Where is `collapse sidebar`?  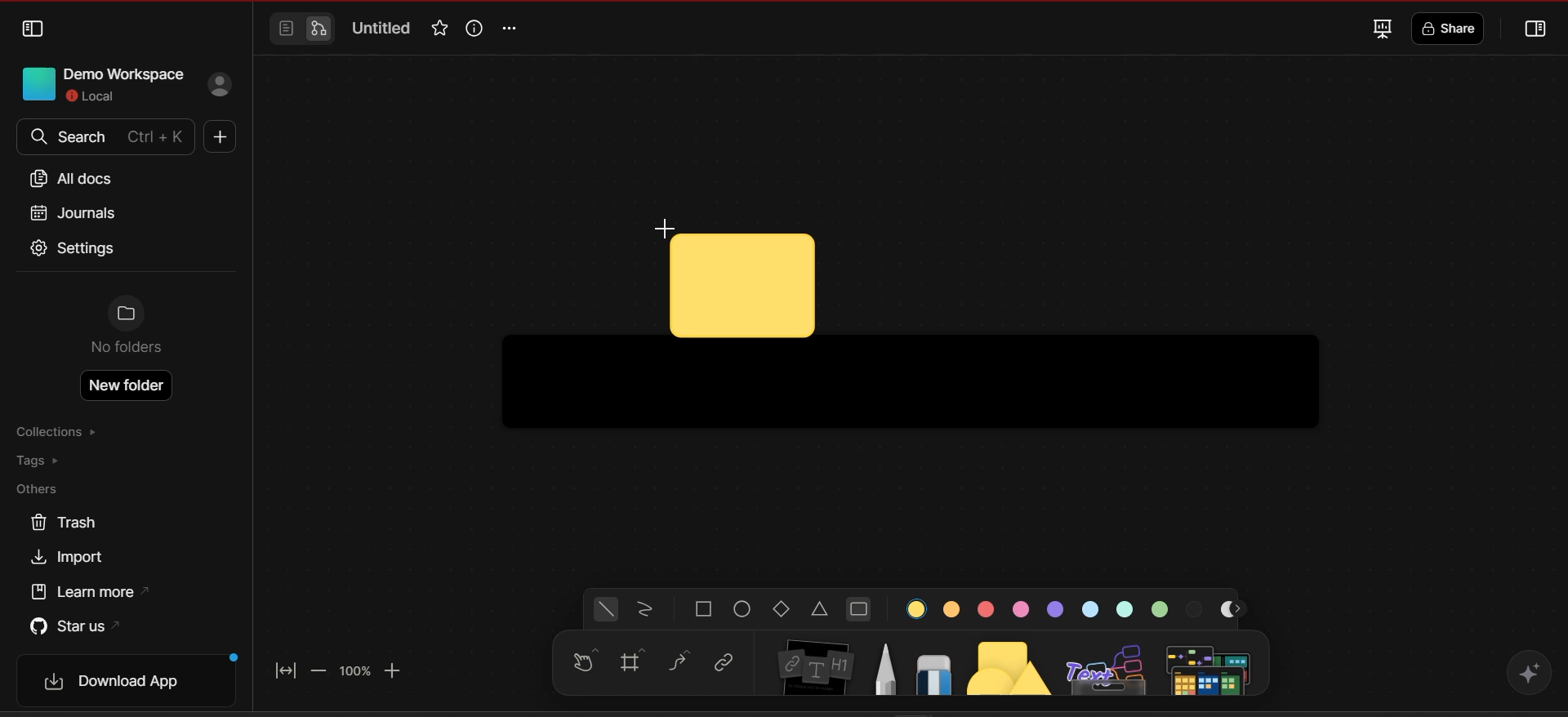
collapse sidebar is located at coordinates (33, 29).